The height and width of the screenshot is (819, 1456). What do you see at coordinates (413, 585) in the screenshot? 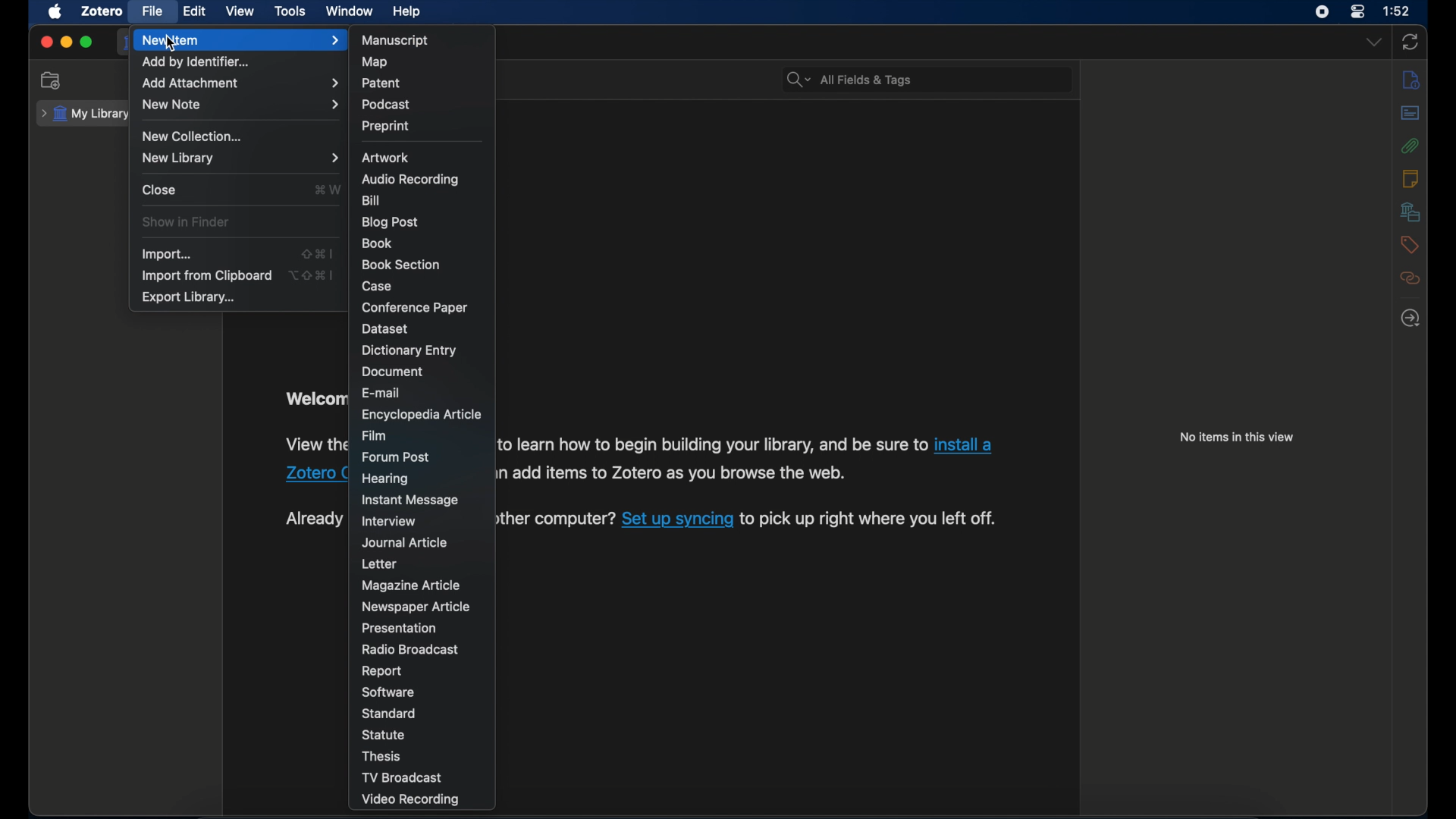
I see `magazine article` at bounding box center [413, 585].